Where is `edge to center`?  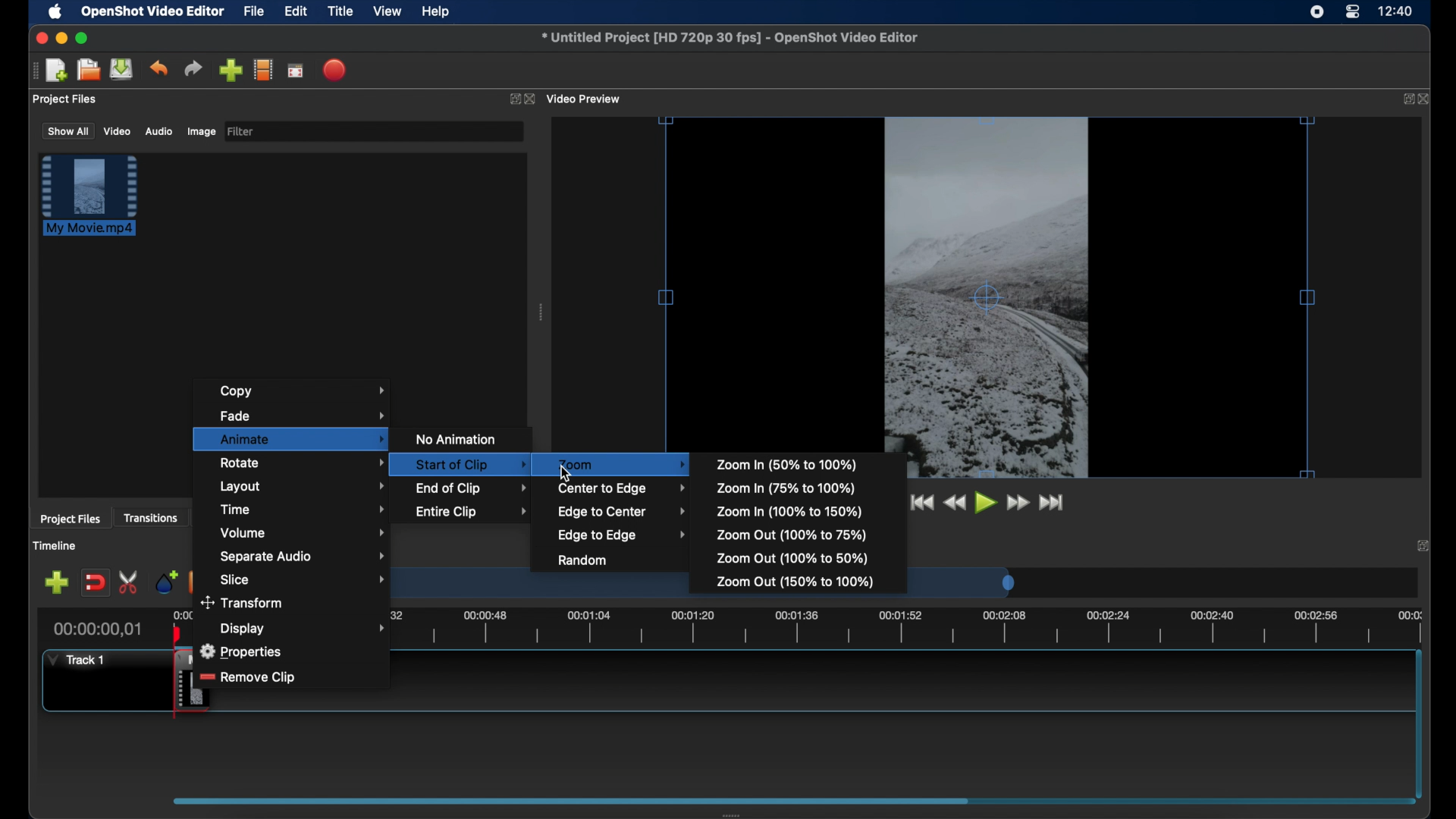
edge to center is located at coordinates (623, 511).